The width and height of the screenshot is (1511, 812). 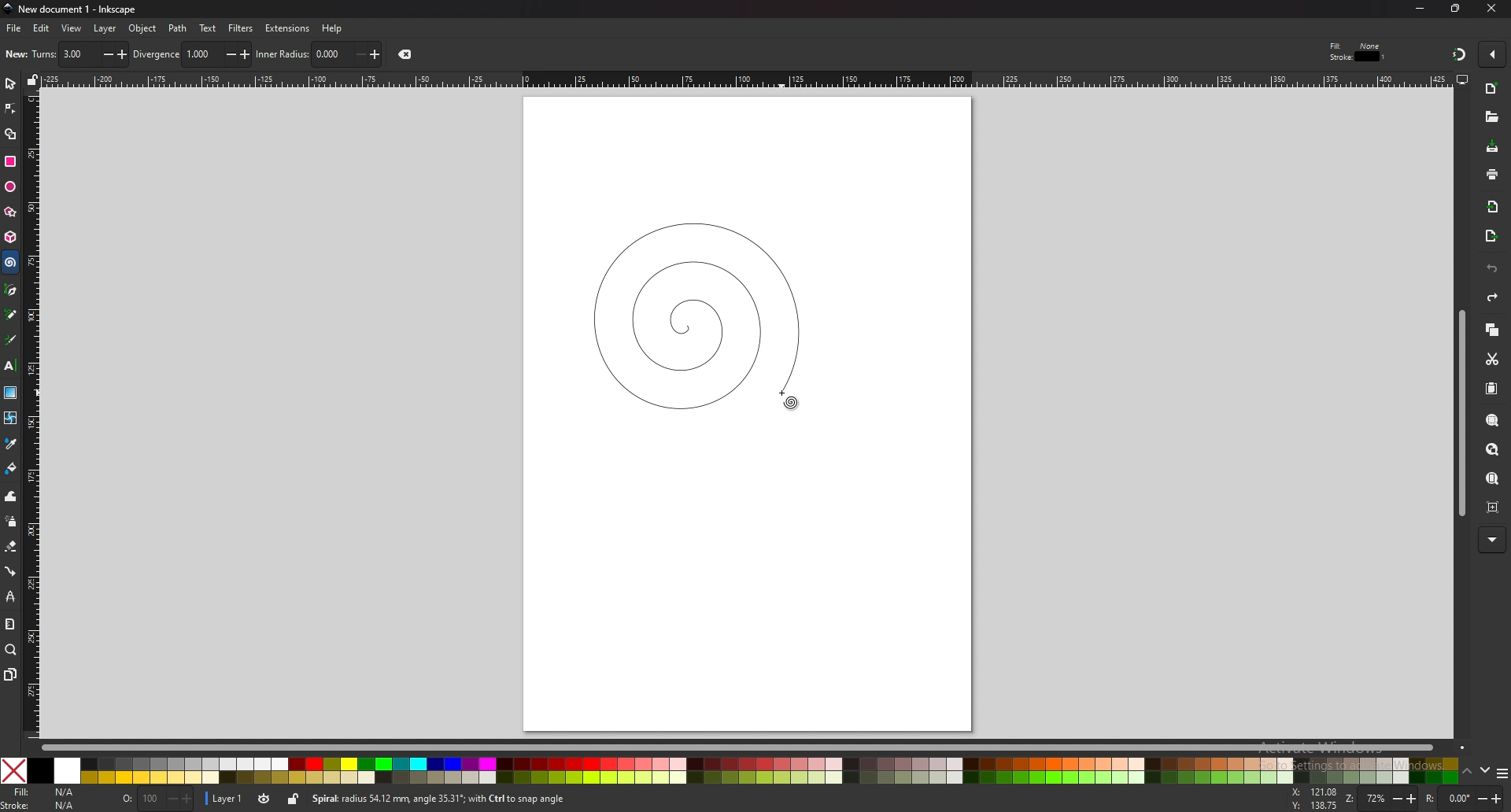 I want to click on pencil, so click(x=13, y=314).